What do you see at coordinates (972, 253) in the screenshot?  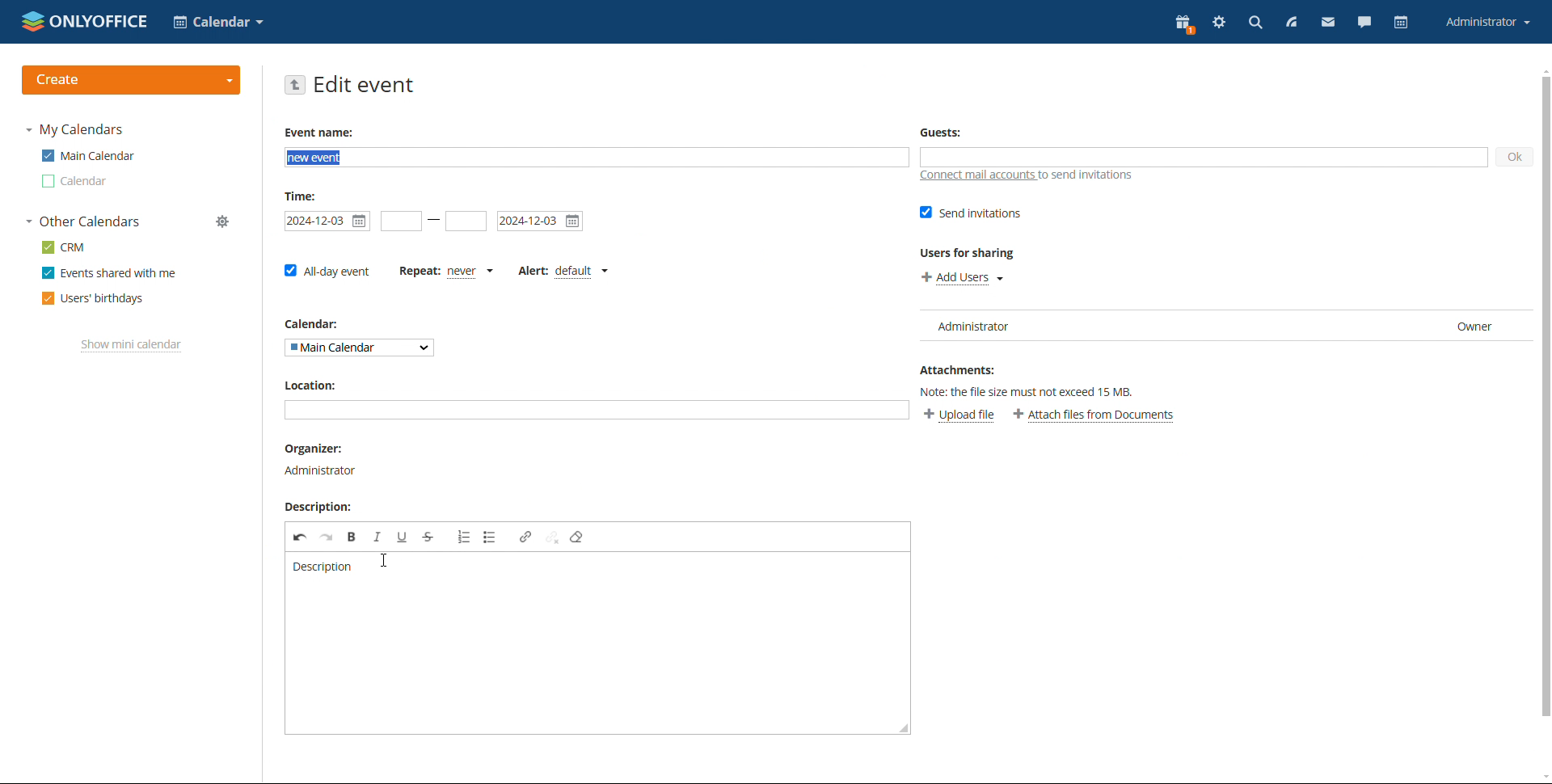 I see `Users for sharing` at bounding box center [972, 253].